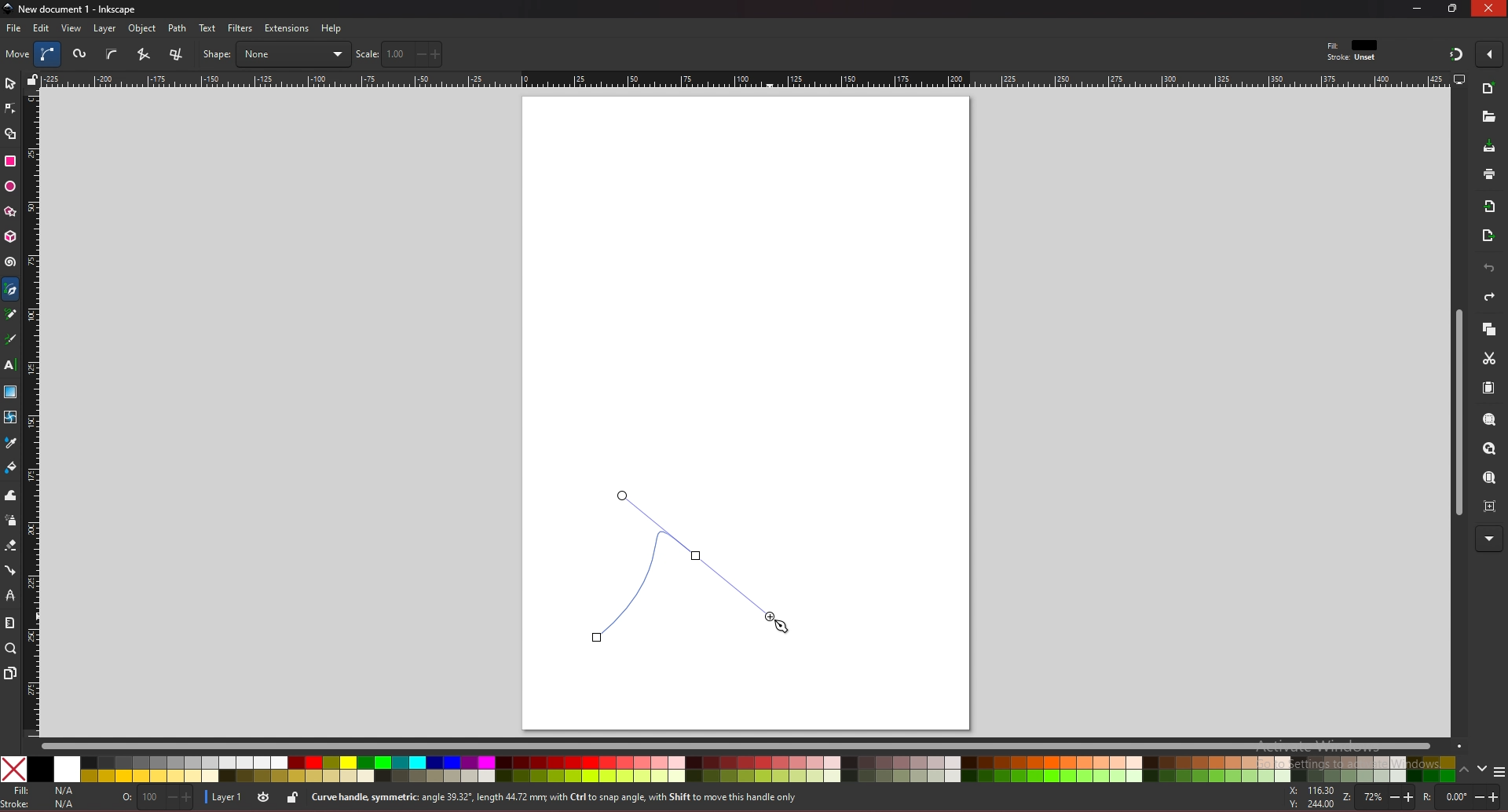 The height and width of the screenshot is (812, 1508). Describe the element at coordinates (11, 392) in the screenshot. I see `gradient` at that location.